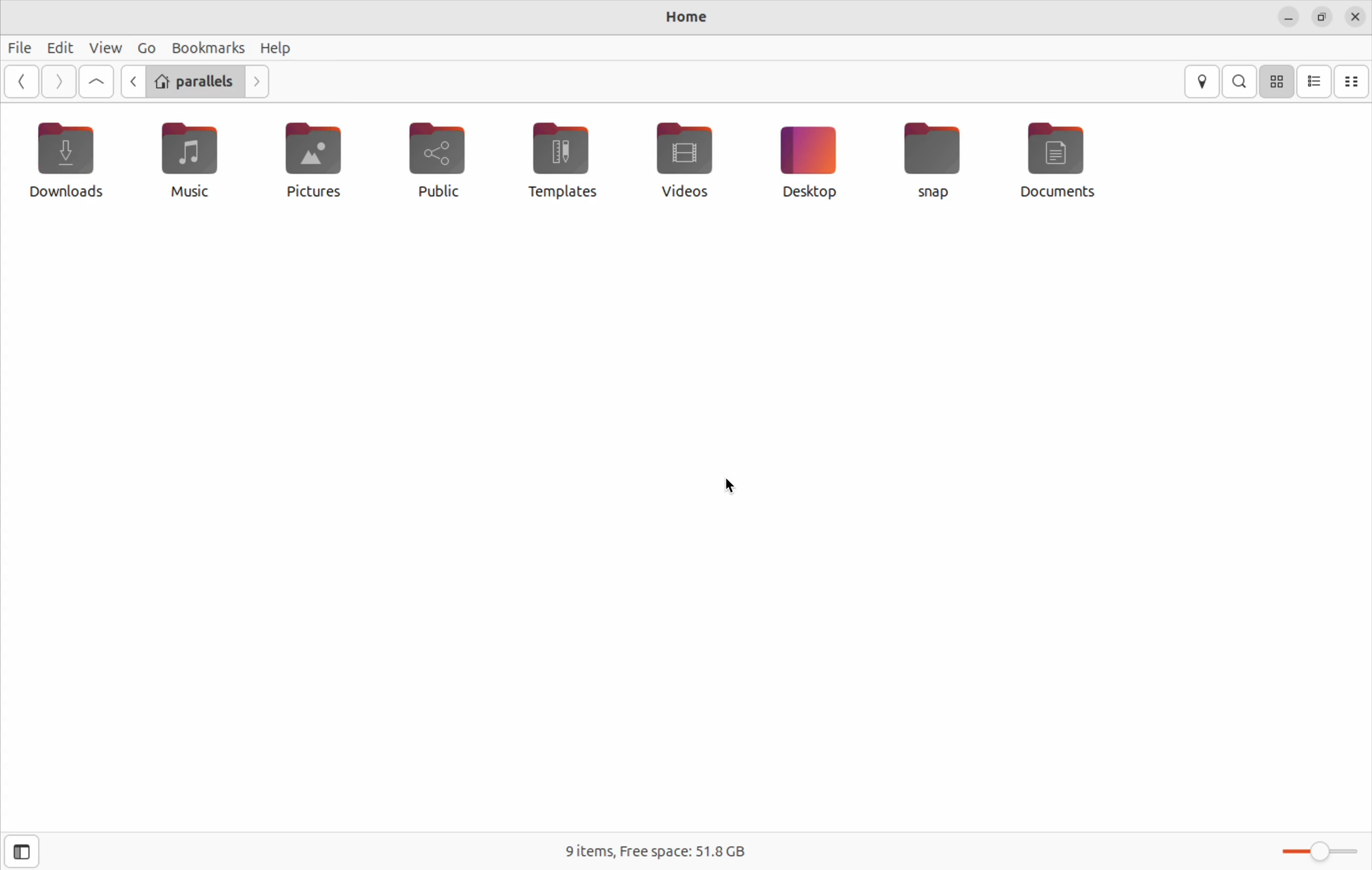 The width and height of the screenshot is (1372, 870). What do you see at coordinates (59, 80) in the screenshot?
I see `Go next` at bounding box center [59, 80].